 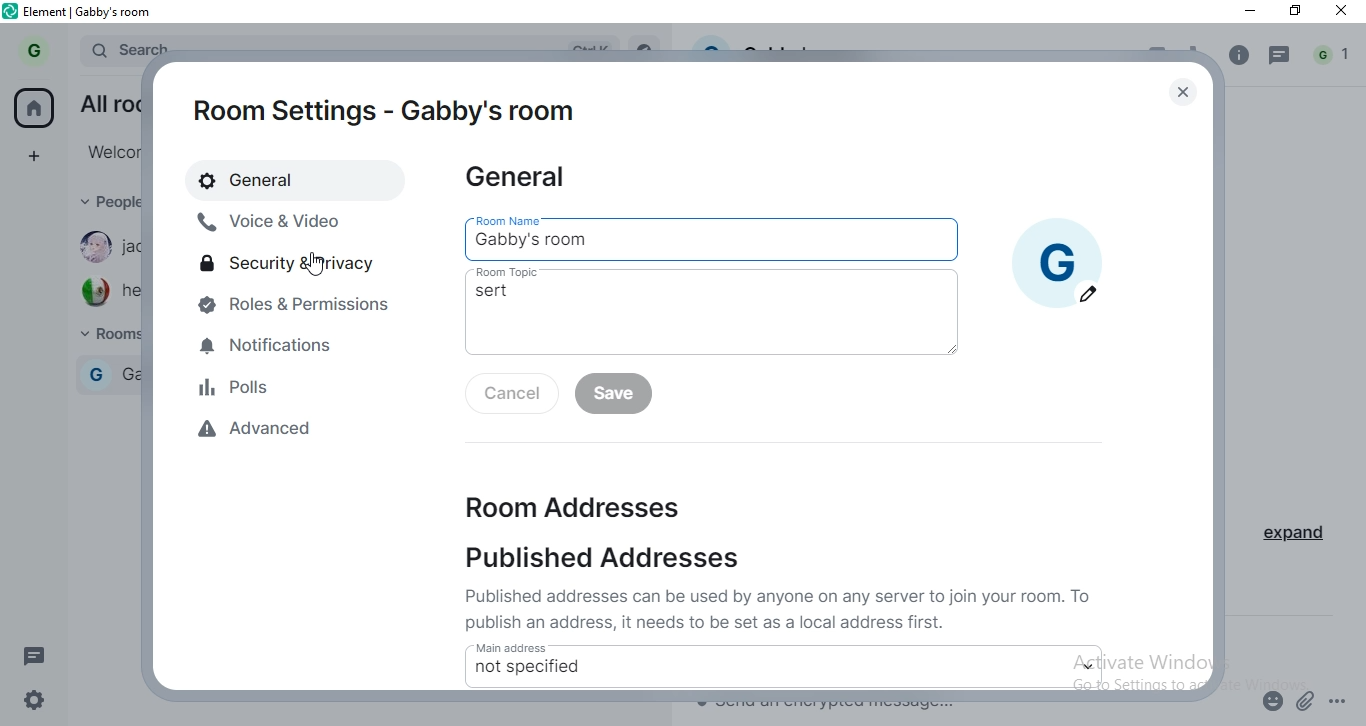 I want to click on text 1, so click(x=775, y=607).